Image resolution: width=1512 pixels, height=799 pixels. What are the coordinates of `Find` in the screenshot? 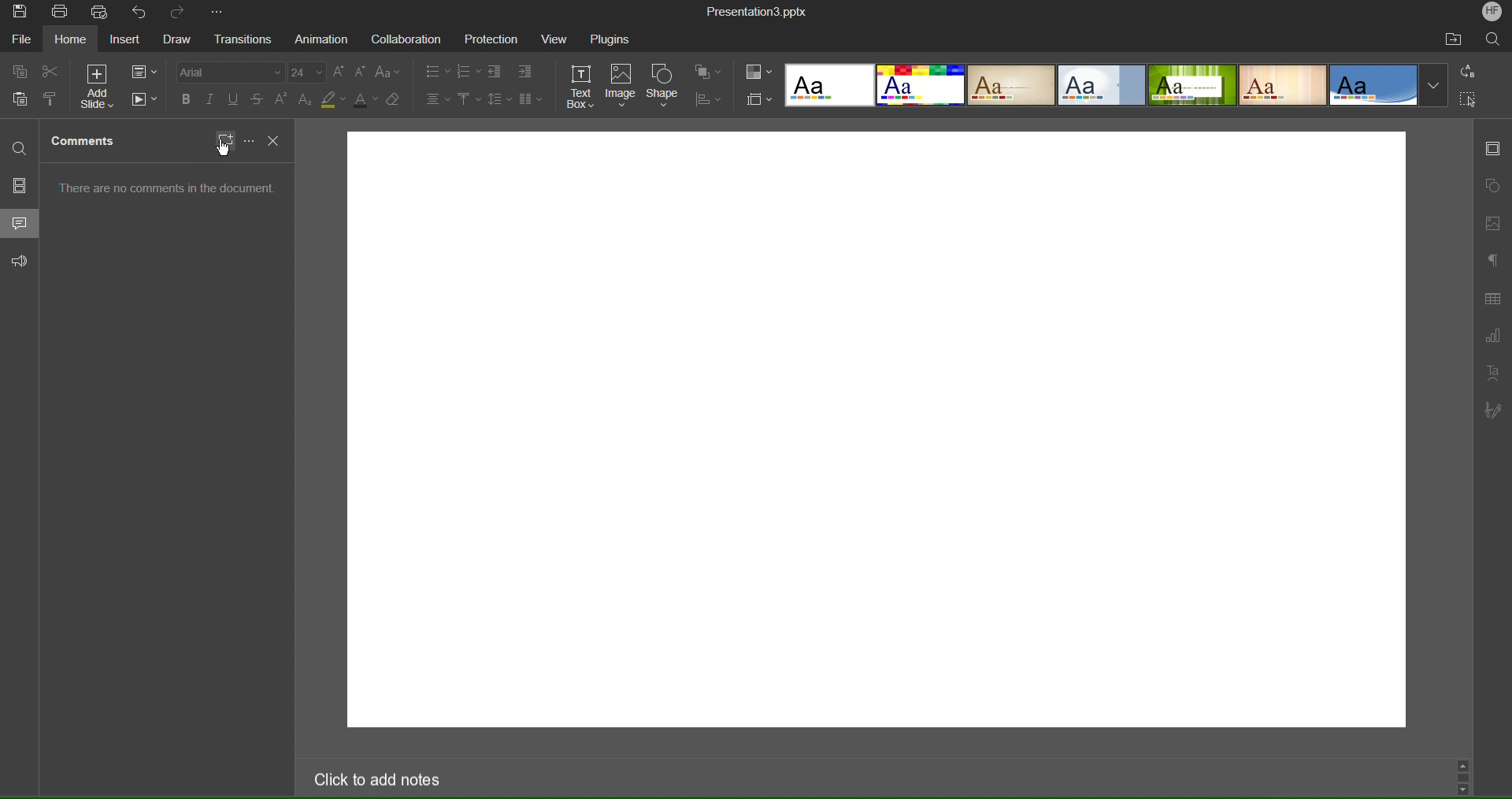 It's located at (20, 150).